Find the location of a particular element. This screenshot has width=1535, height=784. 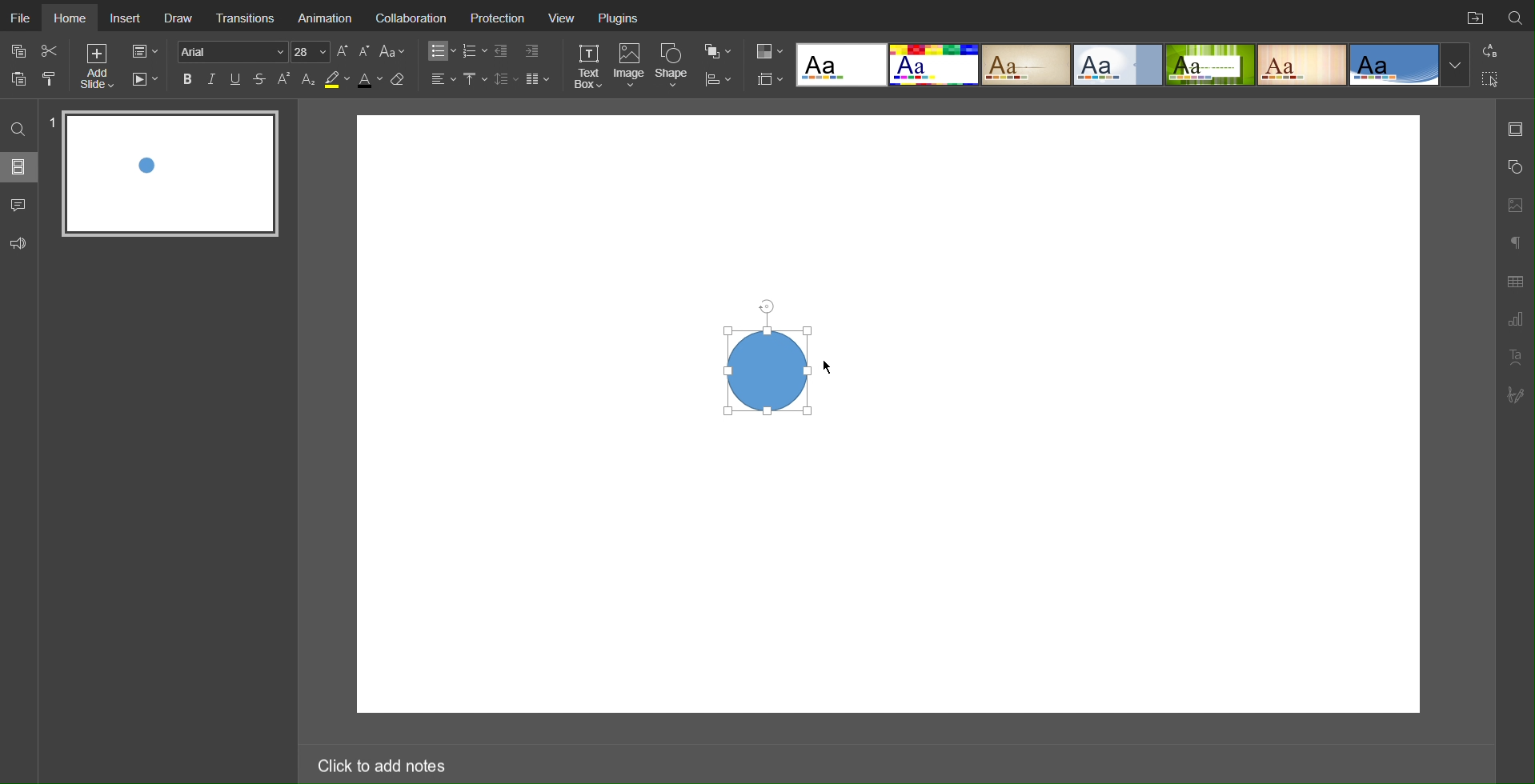

Cut is located at coordinates (51, 50).